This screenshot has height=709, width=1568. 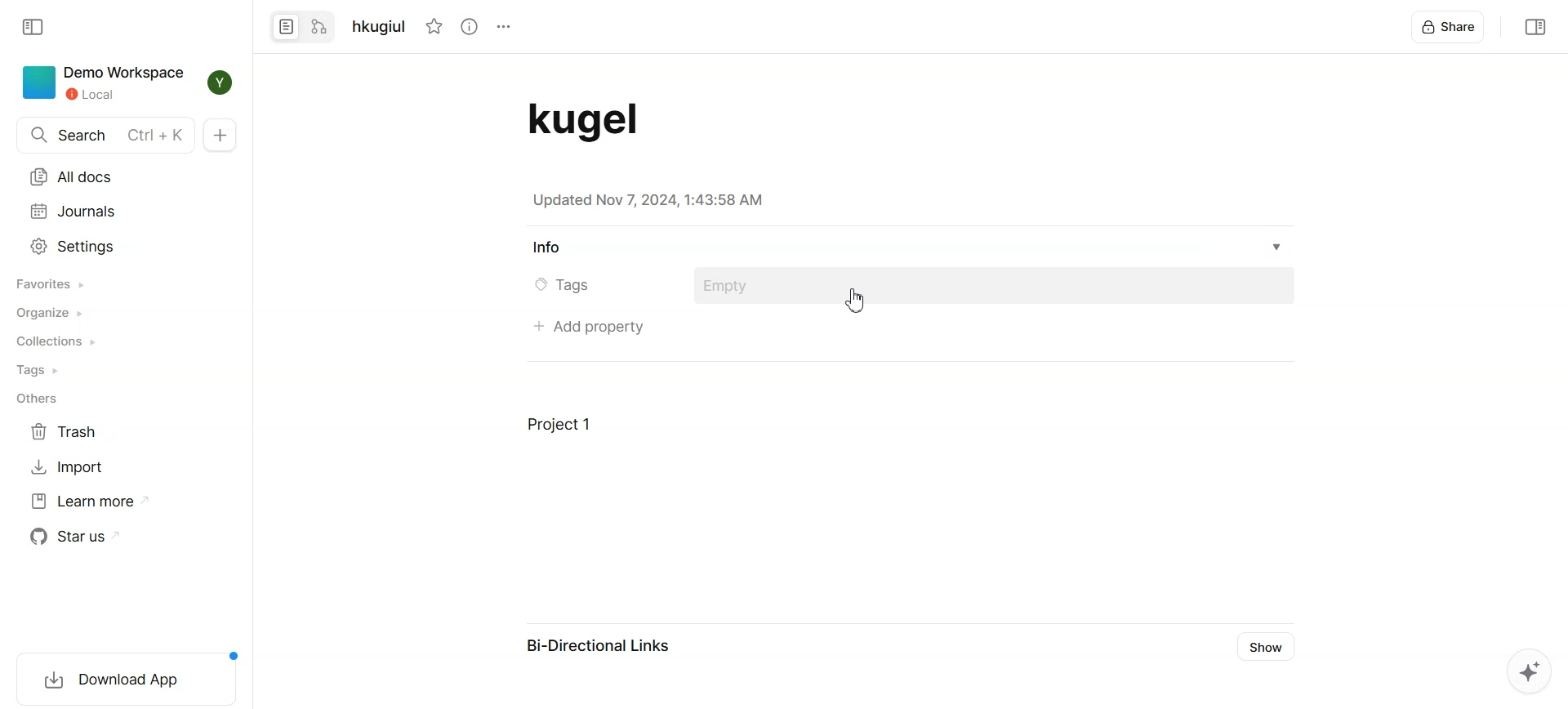 I want to click on Info dropdown box, so click(x=1287, y=247).